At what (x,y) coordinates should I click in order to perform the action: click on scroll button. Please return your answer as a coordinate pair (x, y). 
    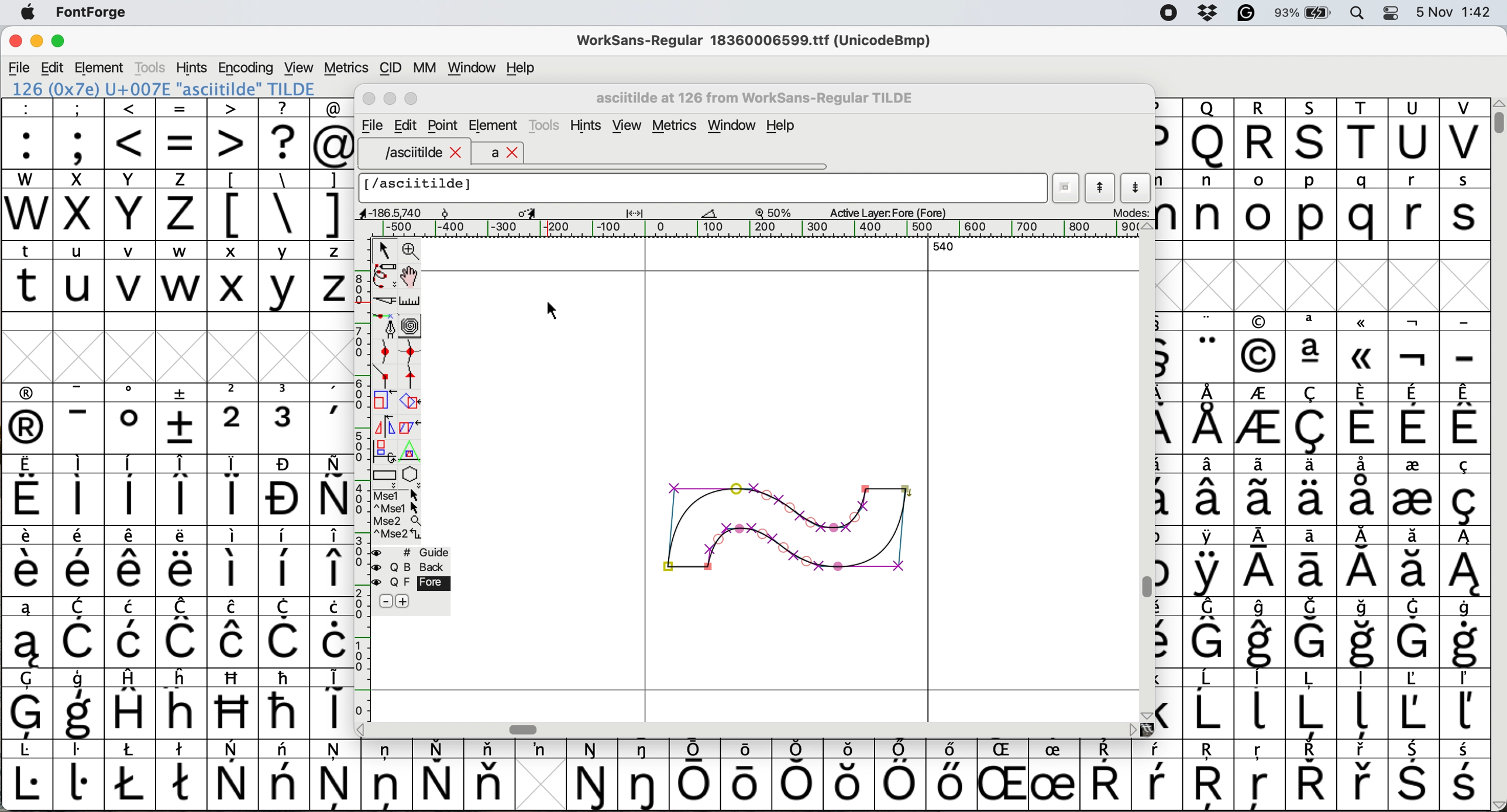
    Looking at the image, I should click on (1497, 804).